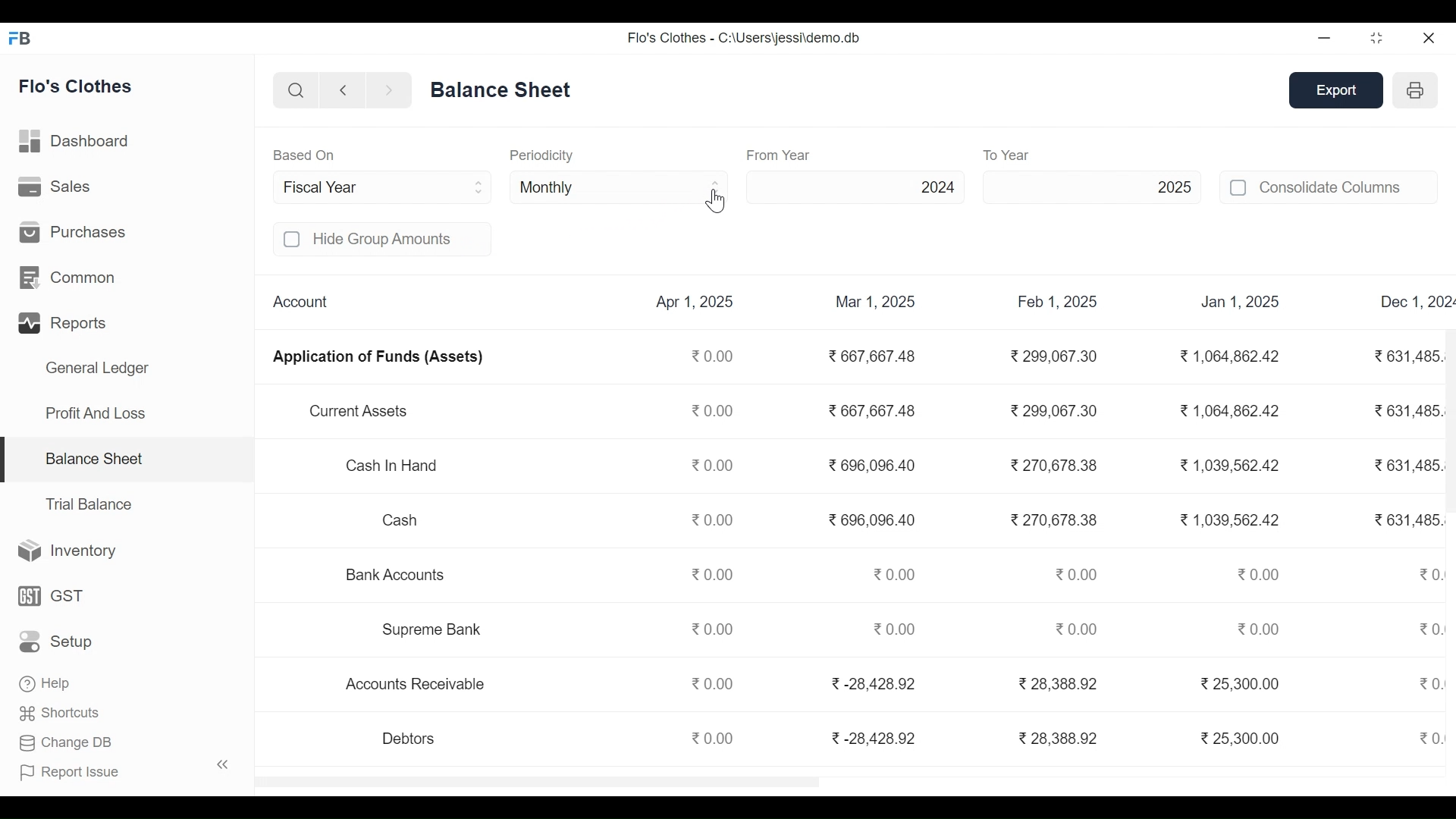 This screenshot has width=1456, height=819. Describe the element at coordinates (44, 680) in the screenshot. I see `help` at that location.